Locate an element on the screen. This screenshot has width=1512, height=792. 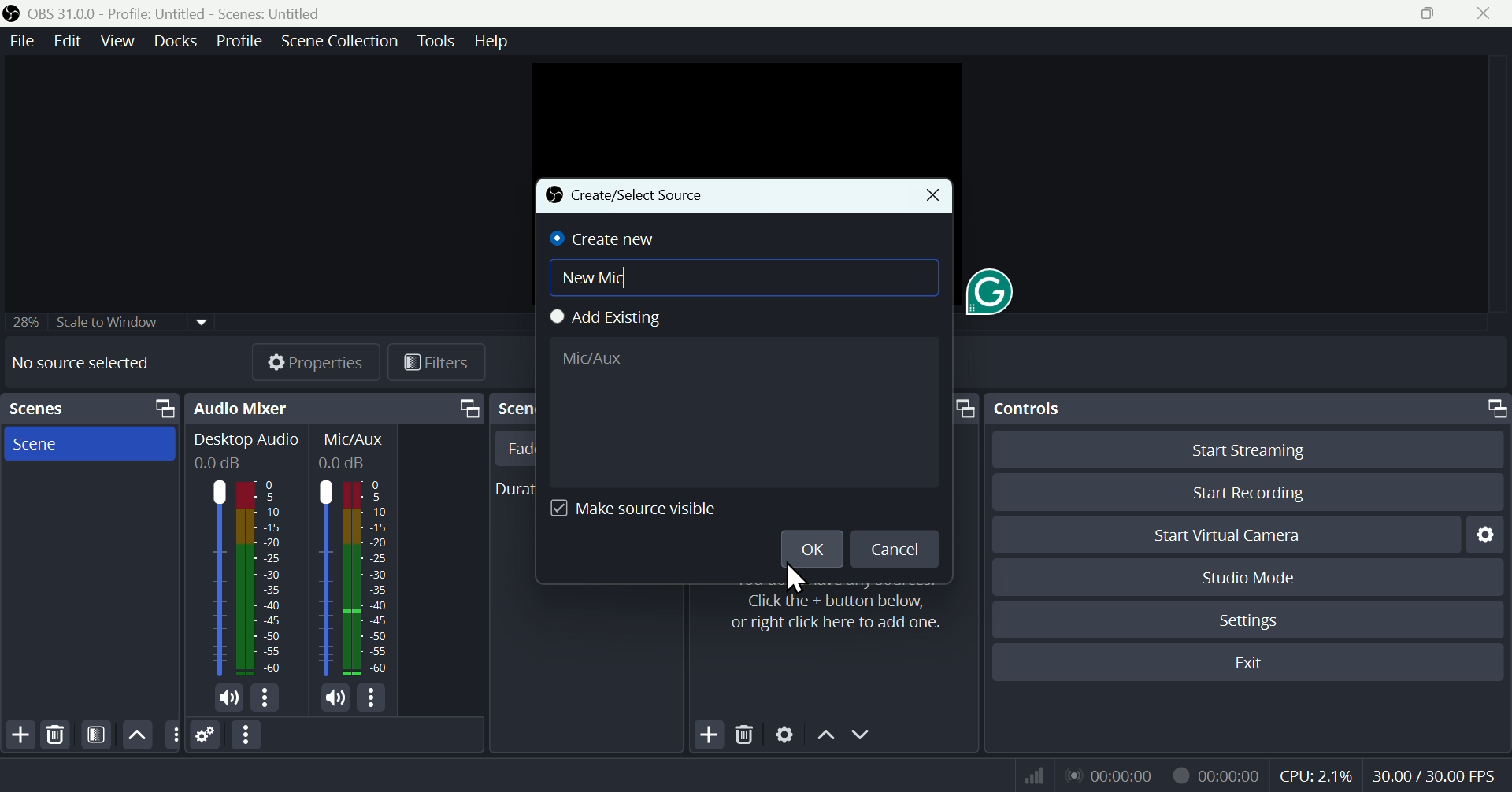
Live Status is located at coordinates (1108, 774).